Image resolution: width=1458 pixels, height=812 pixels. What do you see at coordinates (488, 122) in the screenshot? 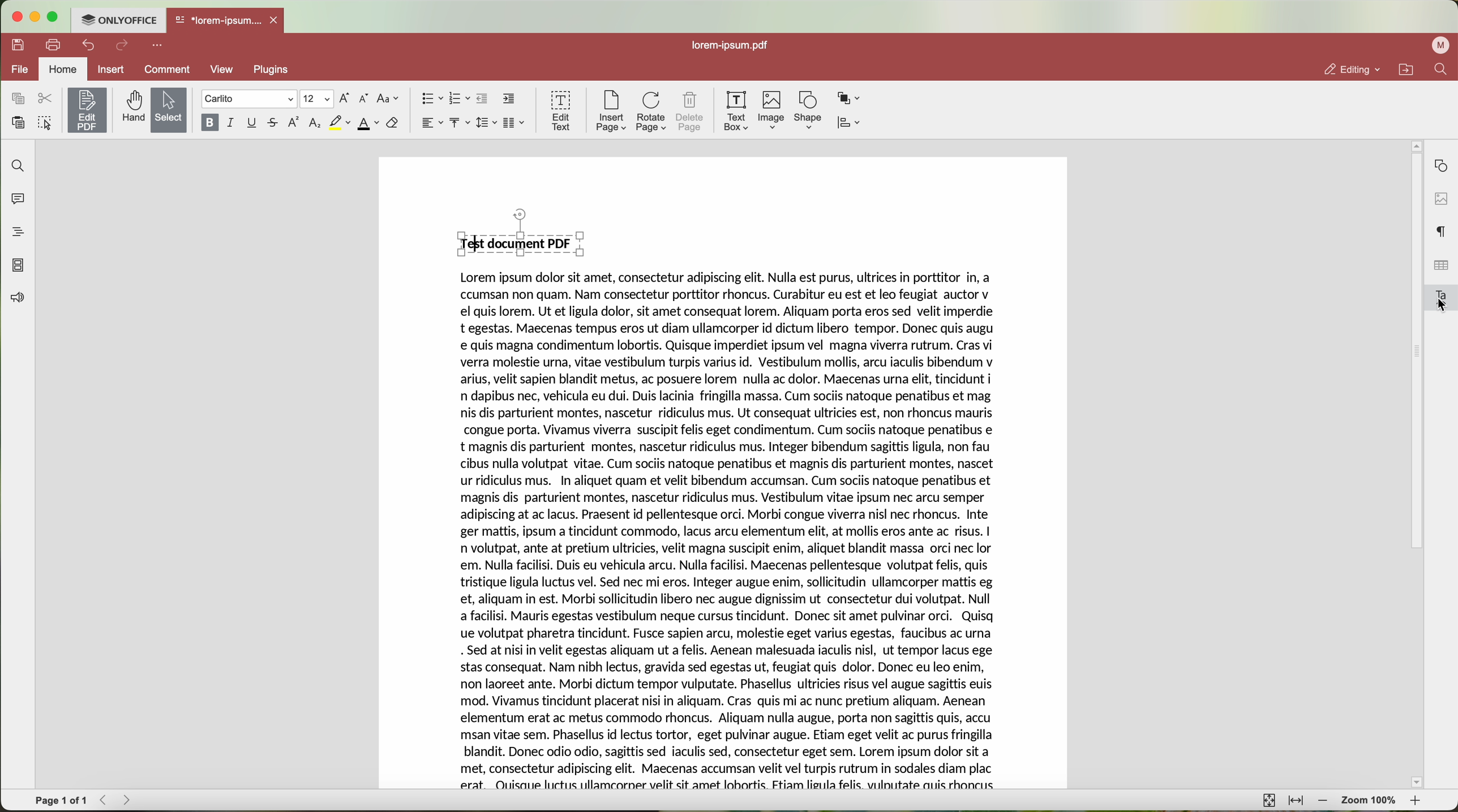
I see `line spacing` at bounding box center [488, 122].